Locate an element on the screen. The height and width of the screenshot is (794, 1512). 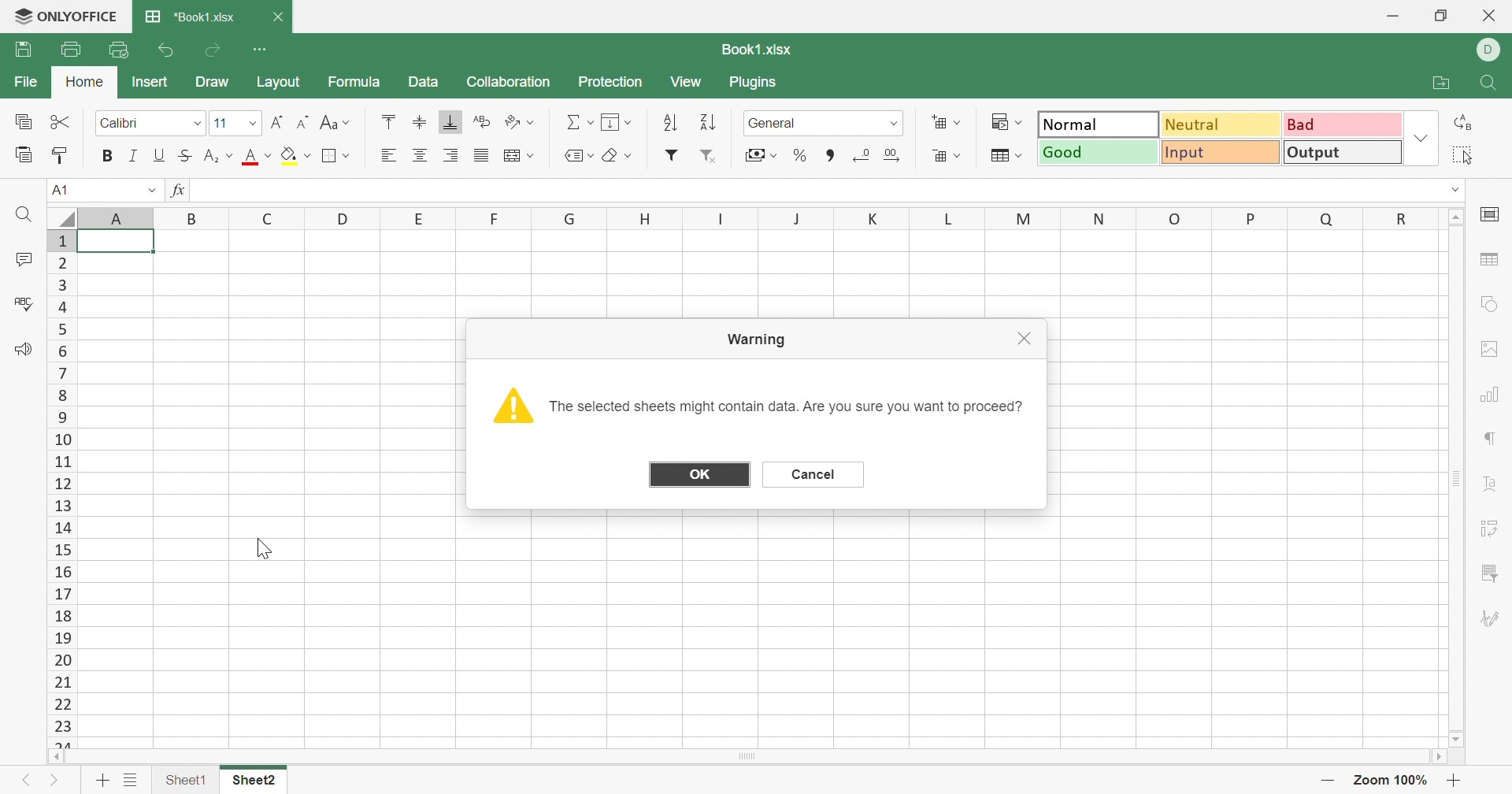
Remove filter is located at coordinates (712, 157).